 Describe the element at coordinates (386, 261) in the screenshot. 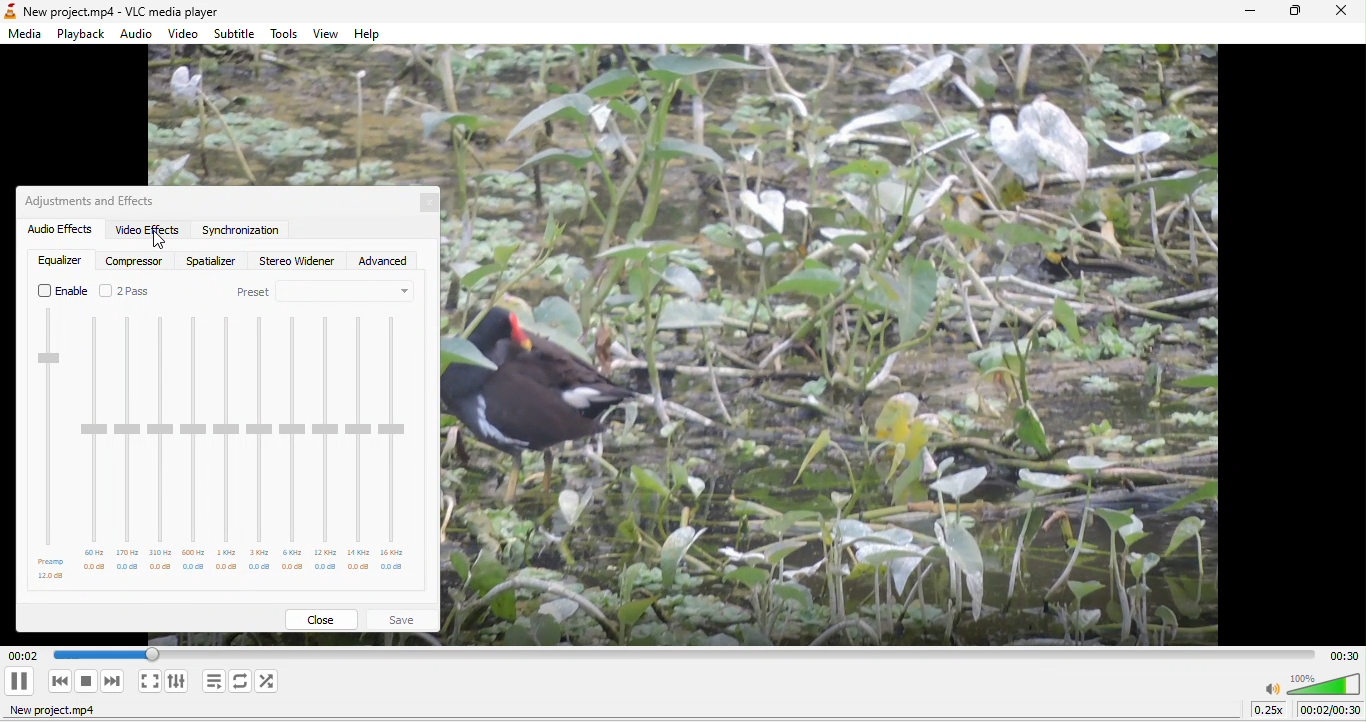

I see `advanced` at that location.